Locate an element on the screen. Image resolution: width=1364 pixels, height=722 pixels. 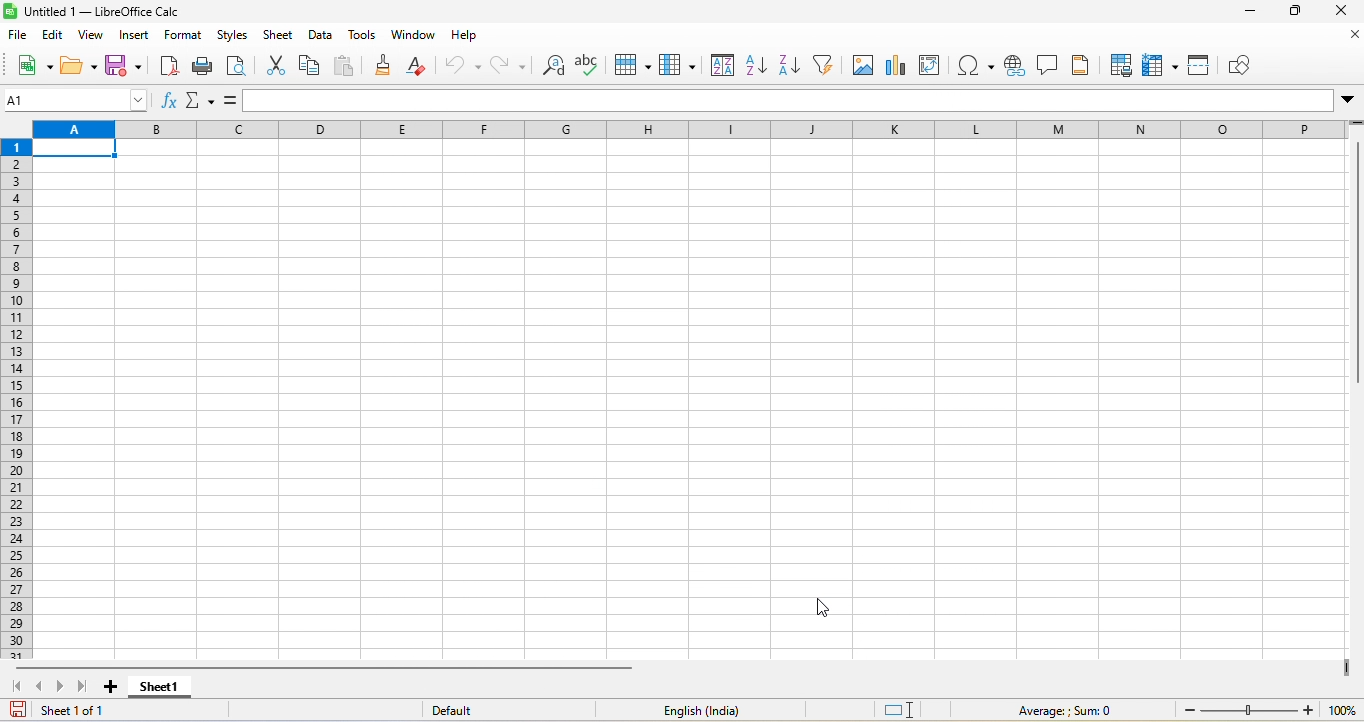
row is located at coordinates (637, 64).